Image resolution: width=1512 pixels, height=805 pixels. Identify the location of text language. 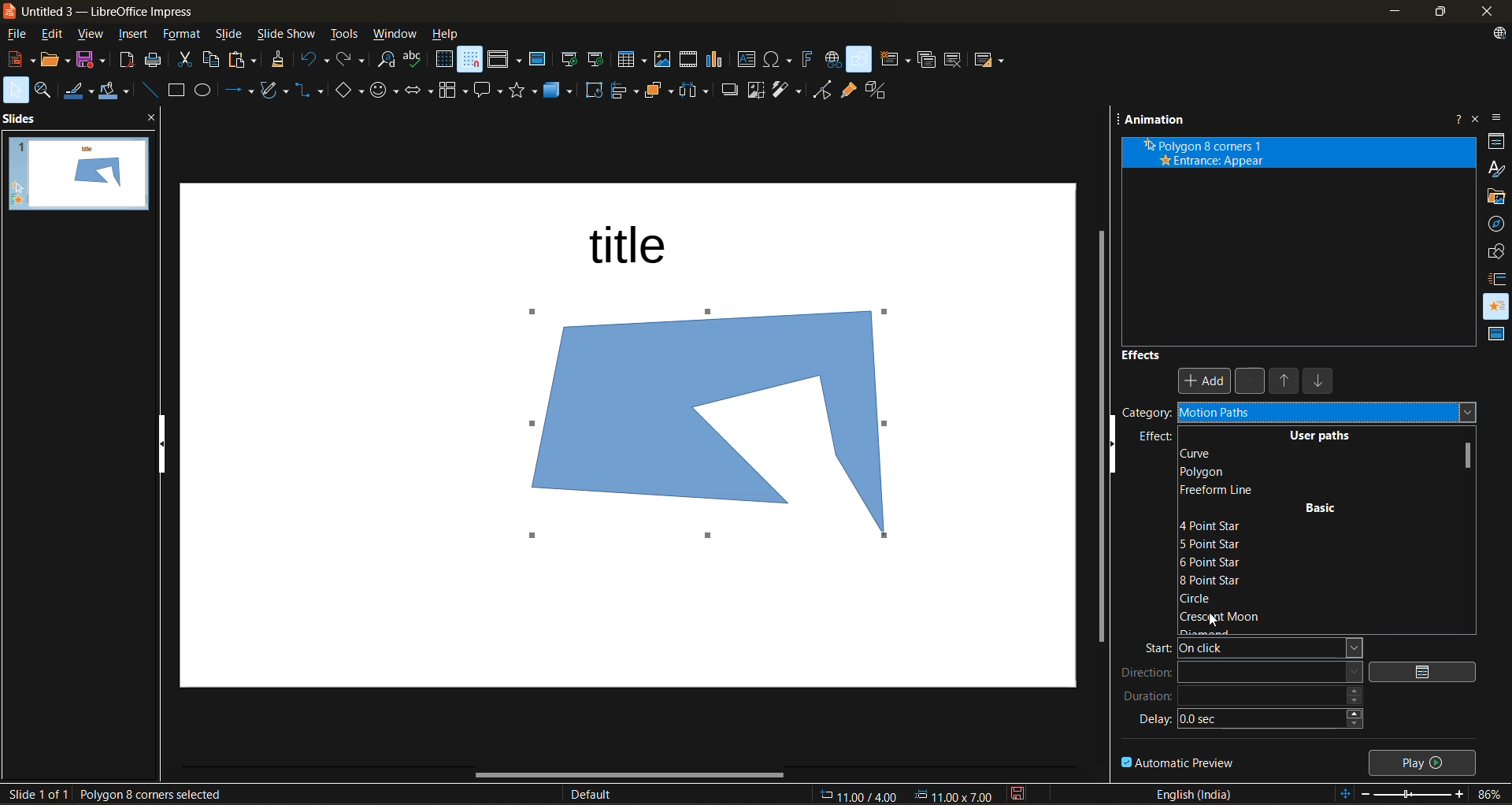
(1203, 793).